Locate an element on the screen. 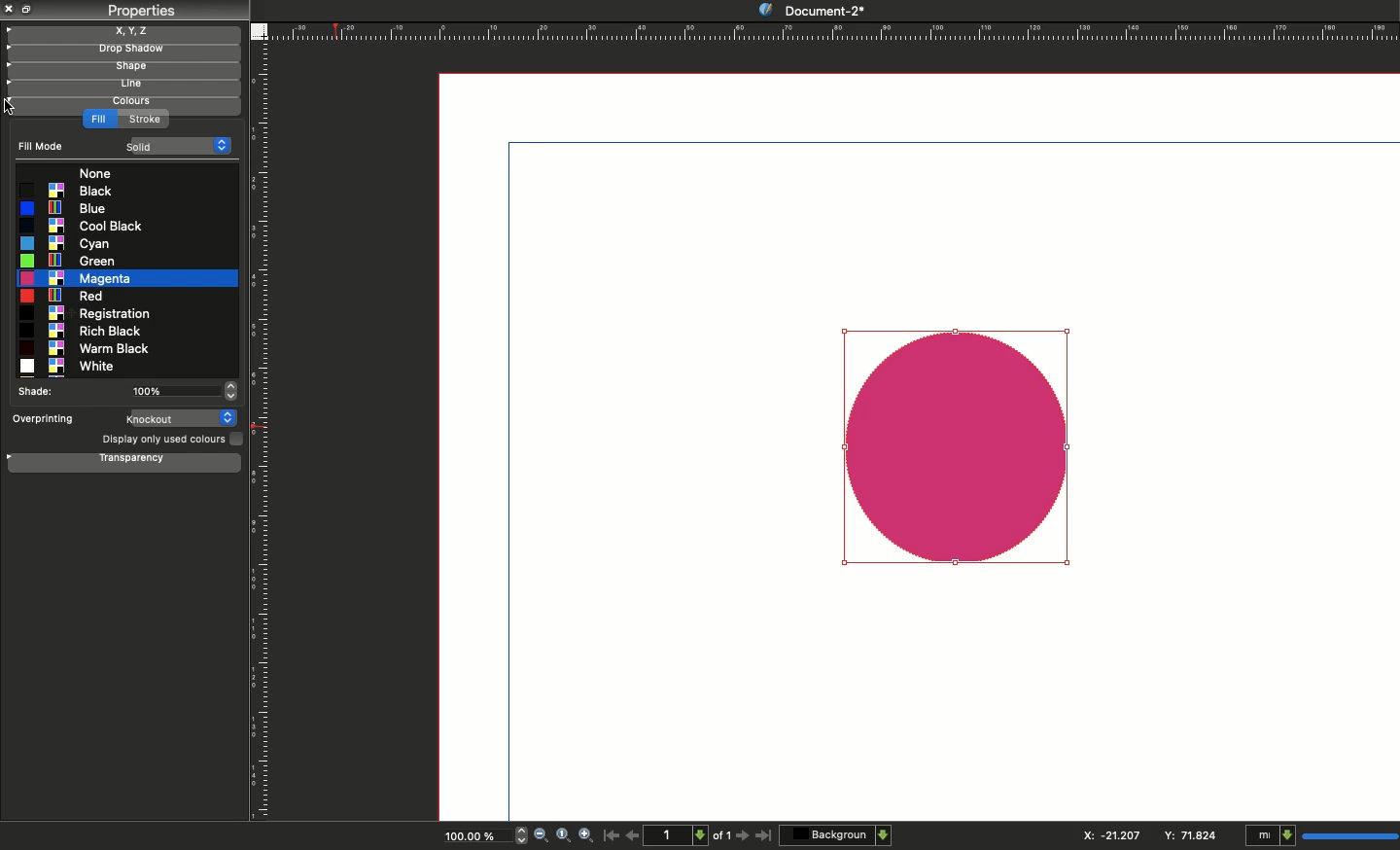 The height and width of the screenshot is (850, 1400). Next page is located at coordinates (745, 836).